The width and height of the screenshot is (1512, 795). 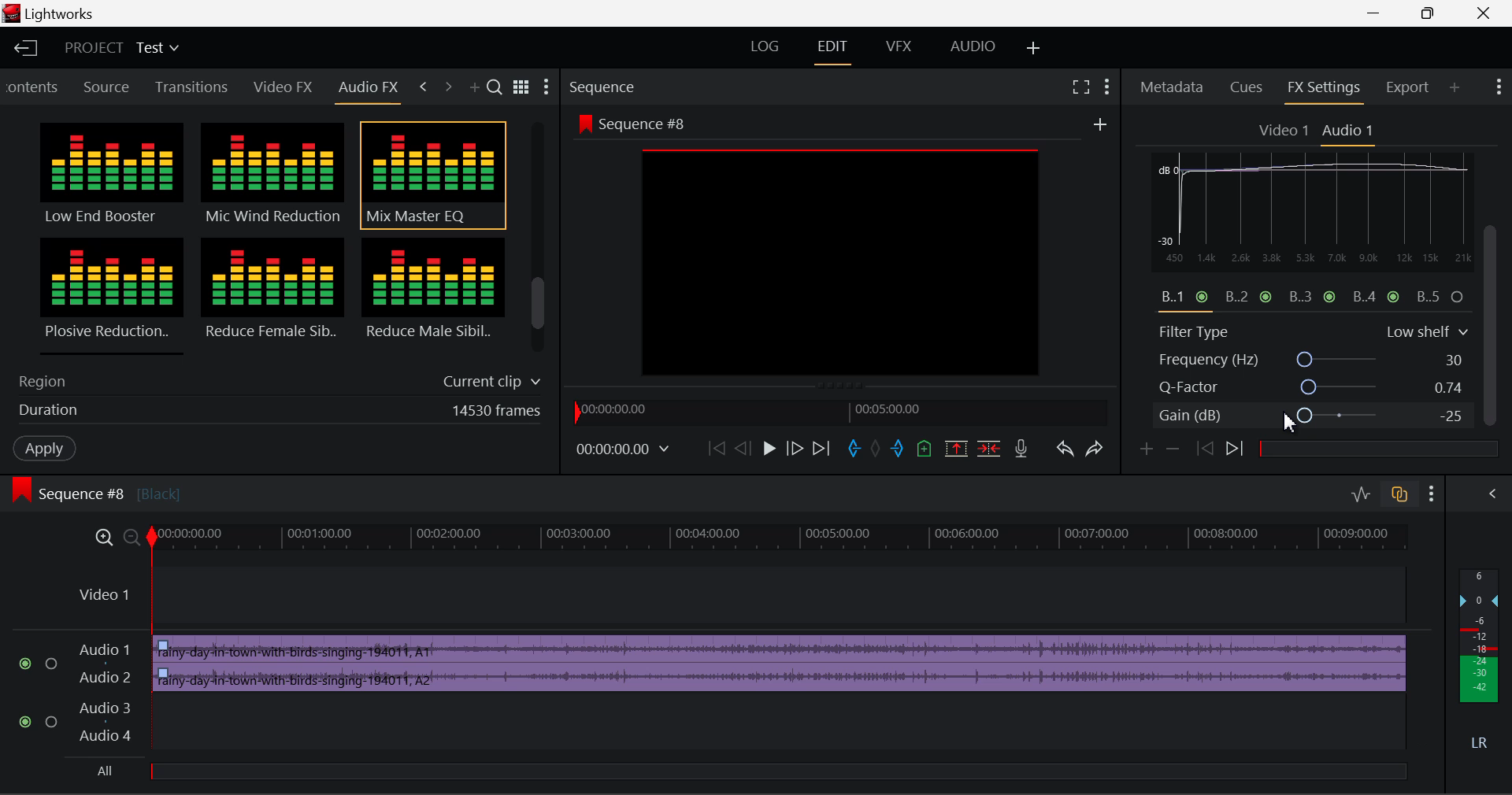 What do you see at coordinates (769, 449) in the screenshot?
I see `Play` at bounding box center [769, 449].